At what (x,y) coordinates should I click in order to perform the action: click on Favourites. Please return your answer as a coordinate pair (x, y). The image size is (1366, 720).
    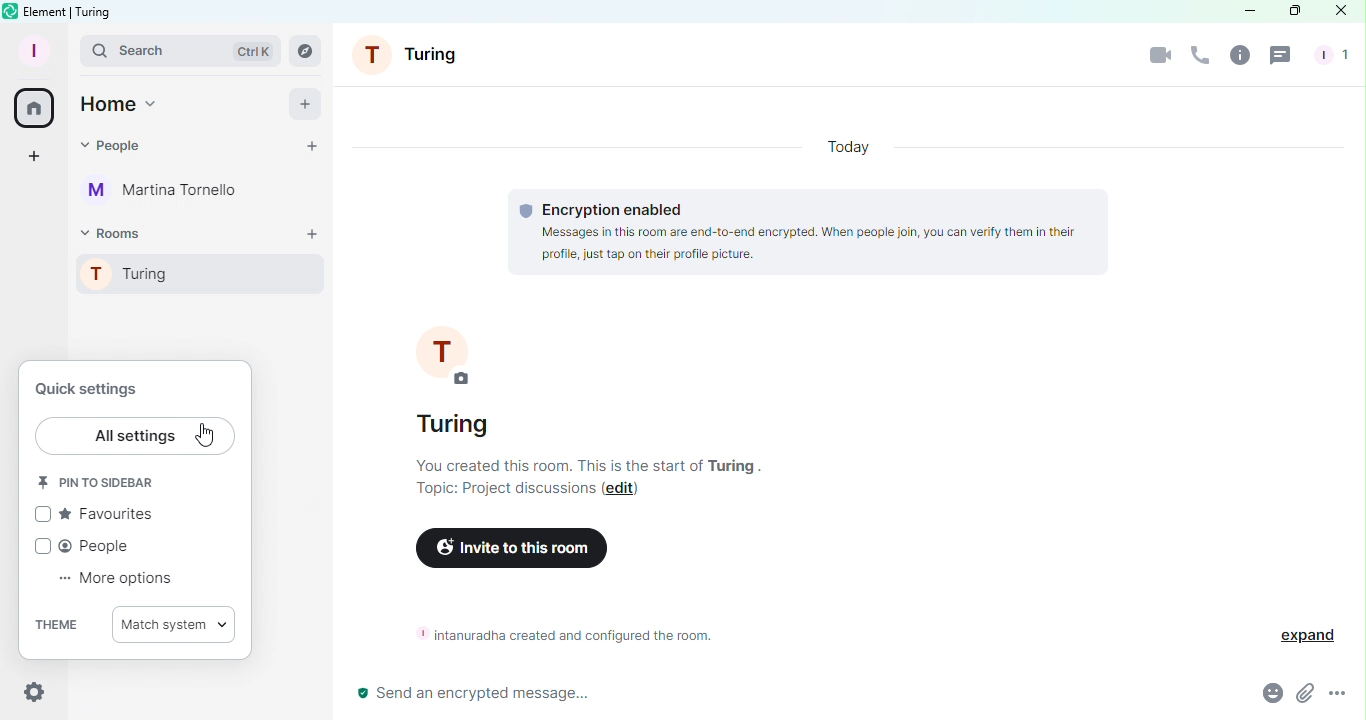
    Looking at the image, I should click on (109, 516).